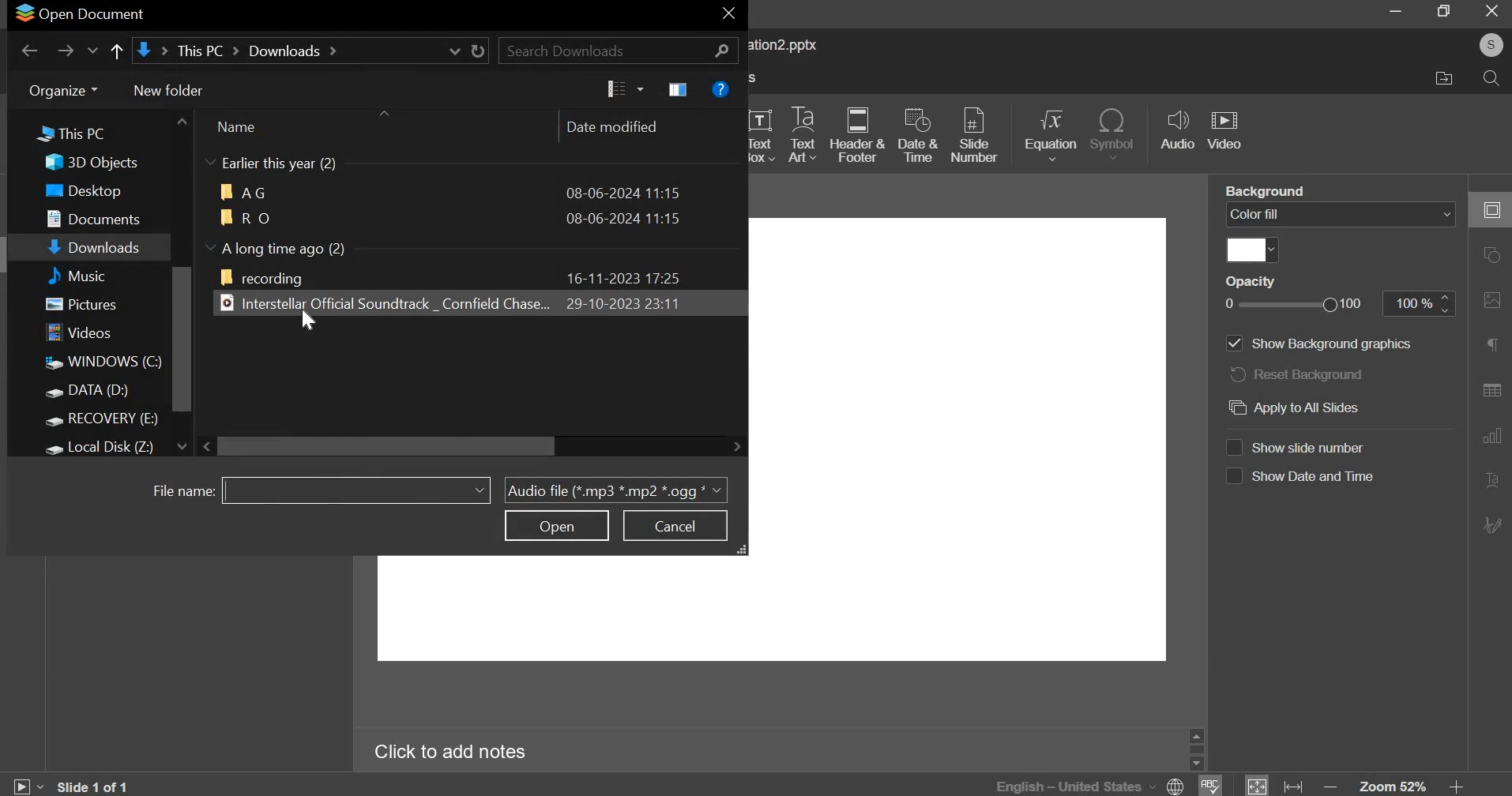 This screenshot has height=796, width=1512. What do you see at coordinates (100, 364) in the screenshot?
I see `WINDOWS (C:)` at bounding box center [100, 364].